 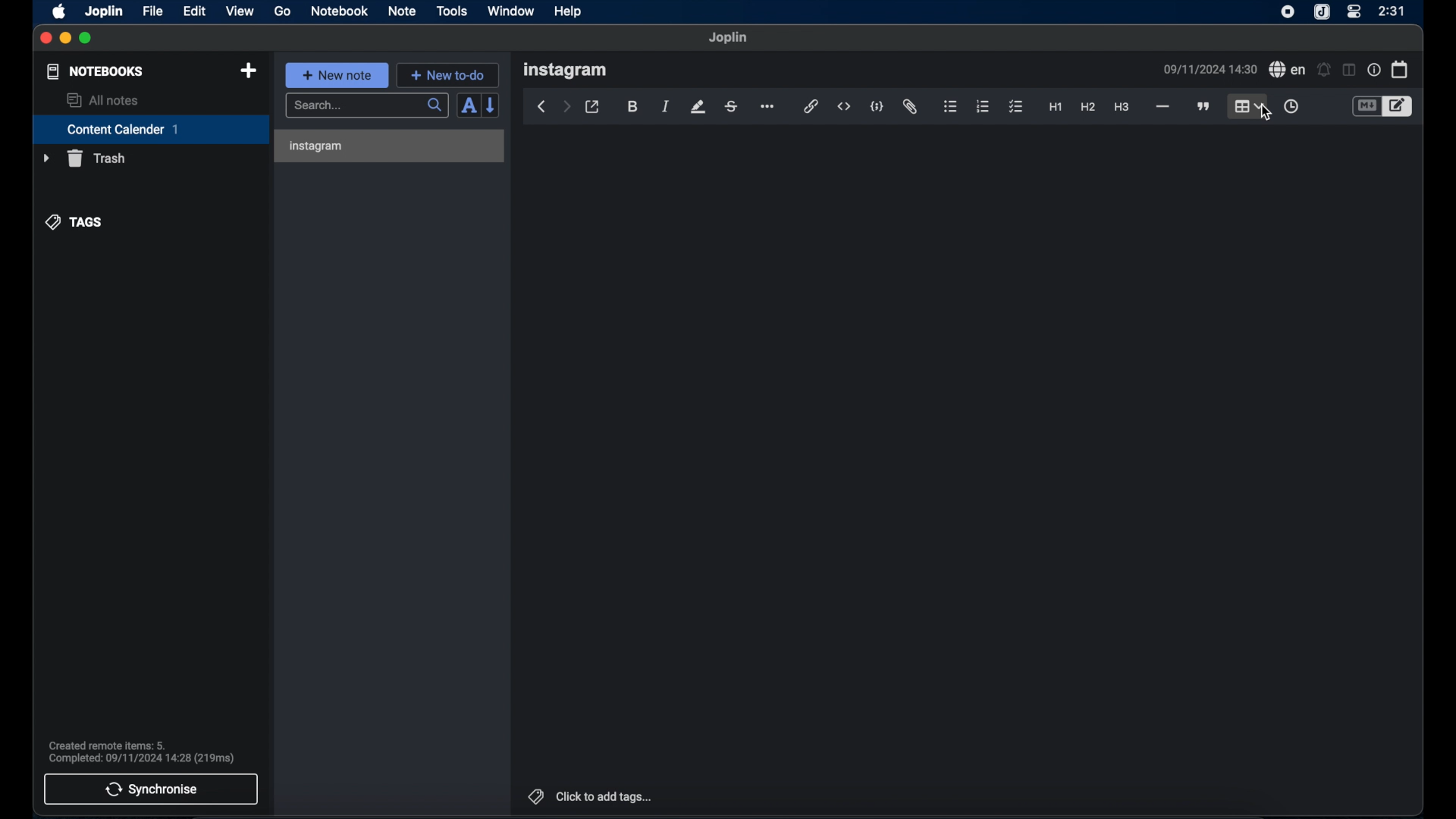 What do you see at coordinates (1210, 69) in the screenshot?
I see `09/11/2024 14:30(date and time)` at bounding box center [1210, 69].